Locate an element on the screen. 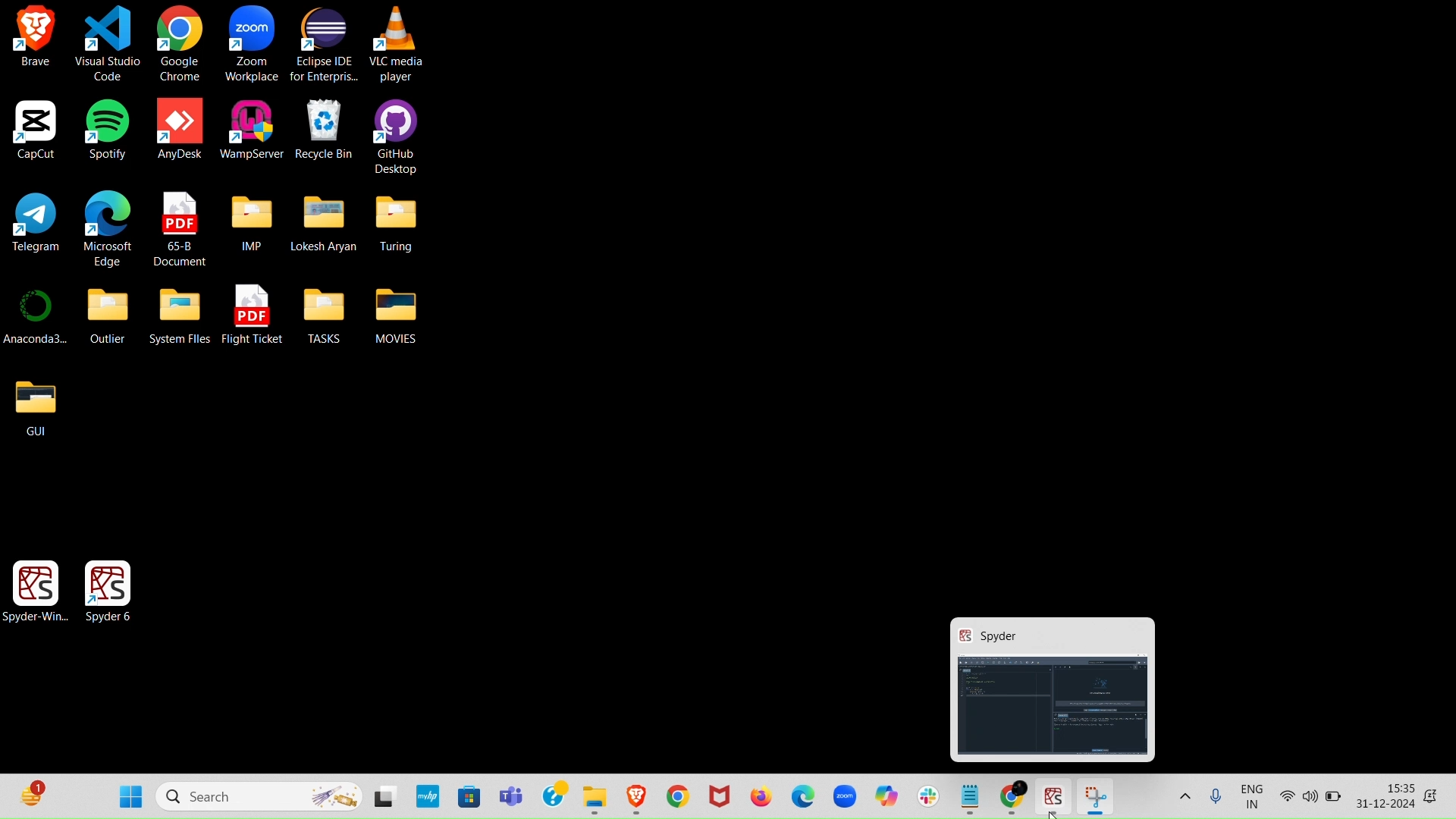 This screenshot has height=819, width=1456. Anaconda3 is located at coordinates (39, 318).